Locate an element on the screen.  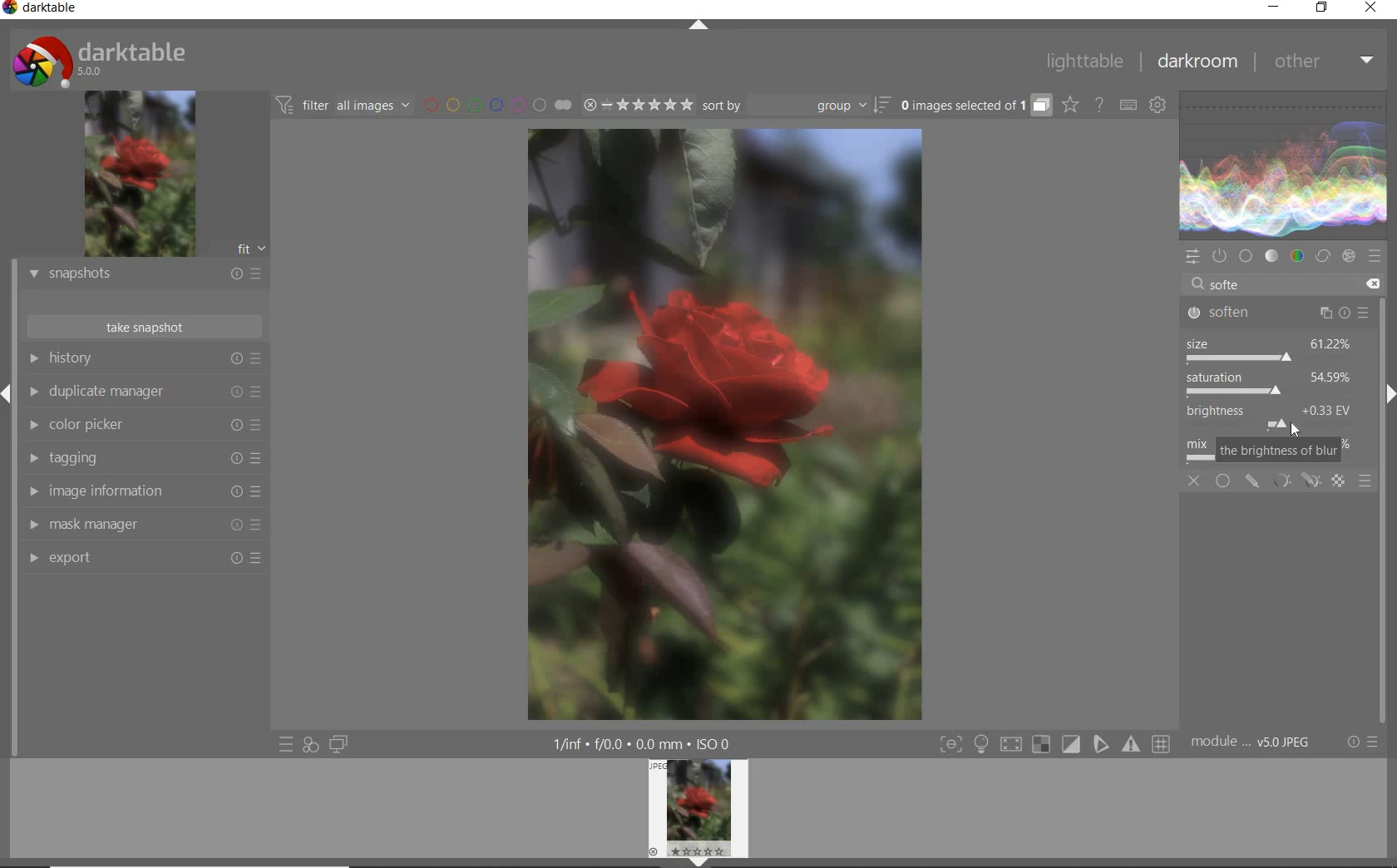
waveform is located at coordinates (1284, 163).